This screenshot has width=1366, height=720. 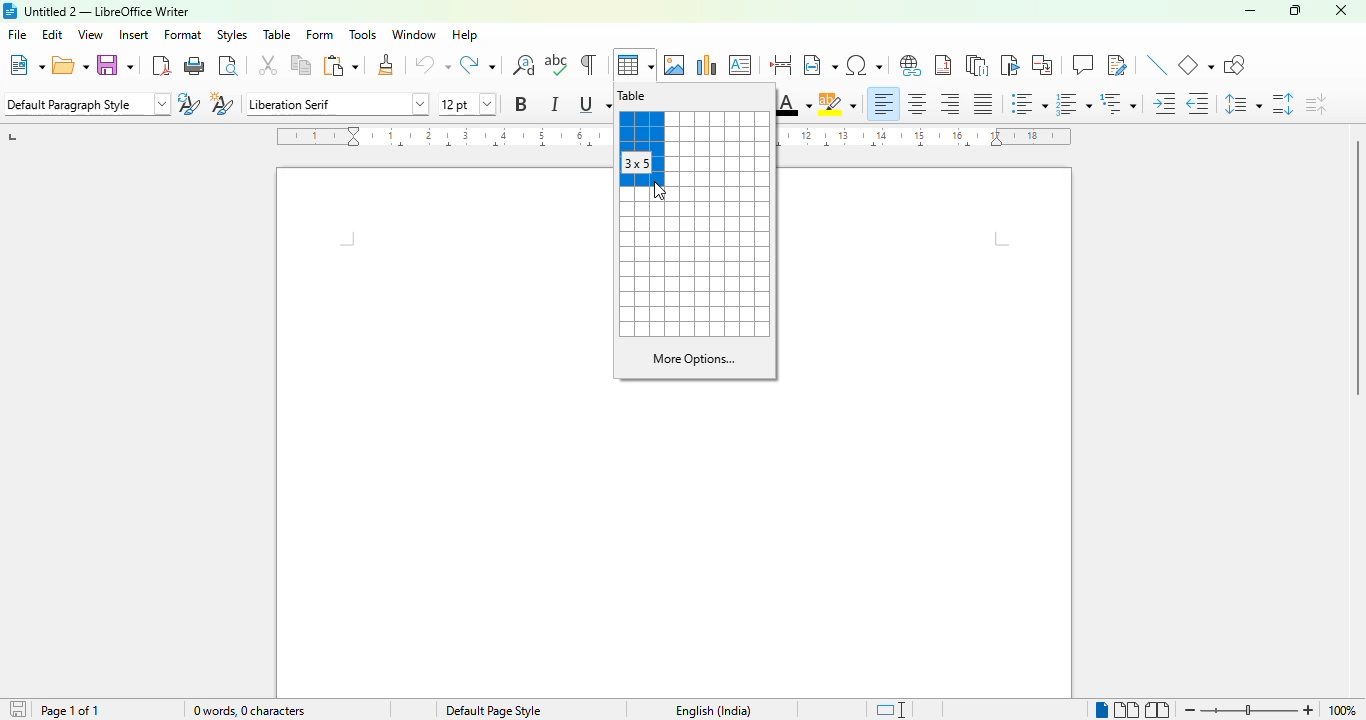 I want to click on standard selection, so click(x=890, y=710).